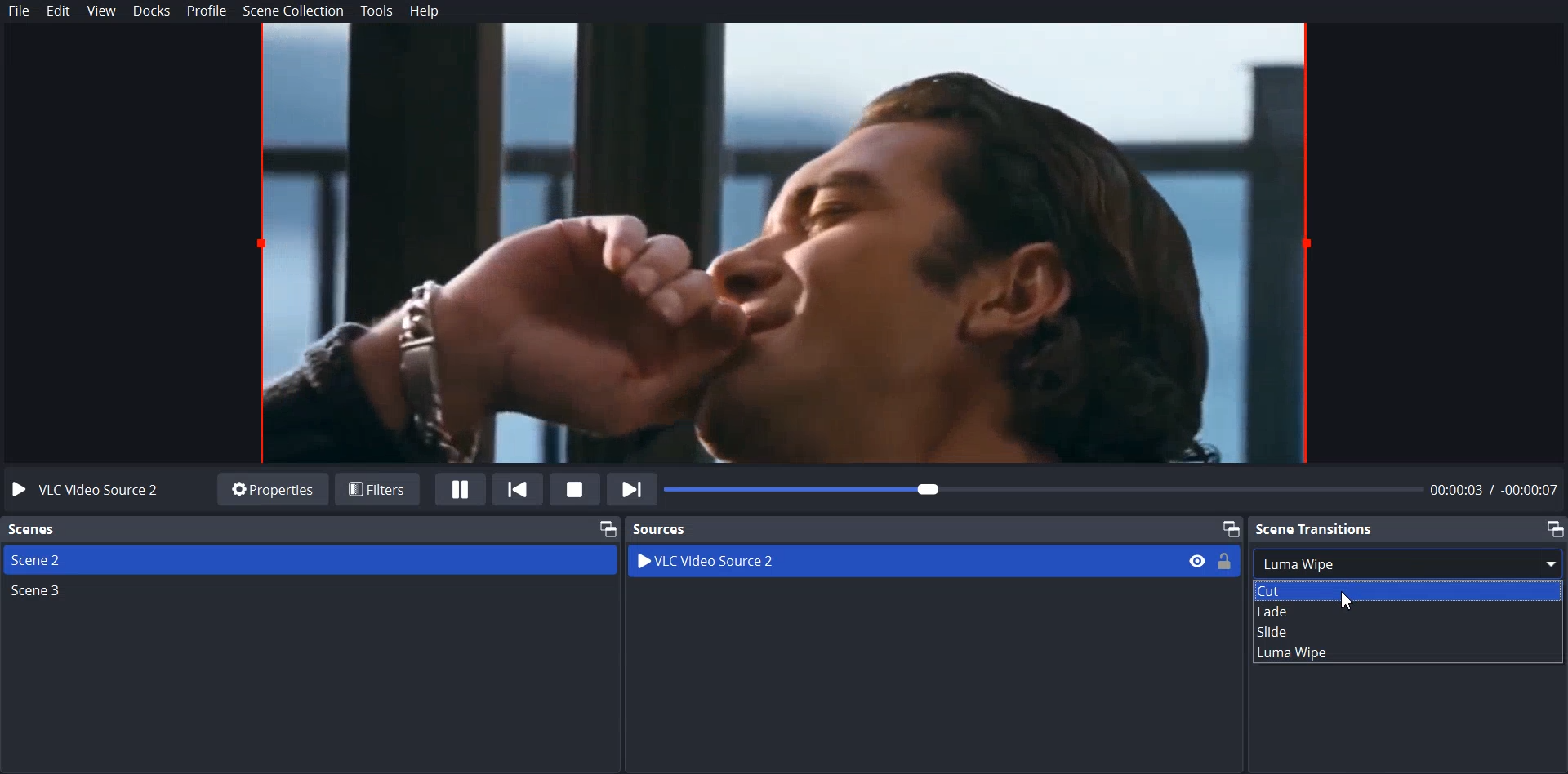  What do you see at coordinates (574, 488) in the screenshot?
I see `Stop Media` at bounding box center [574, 488].